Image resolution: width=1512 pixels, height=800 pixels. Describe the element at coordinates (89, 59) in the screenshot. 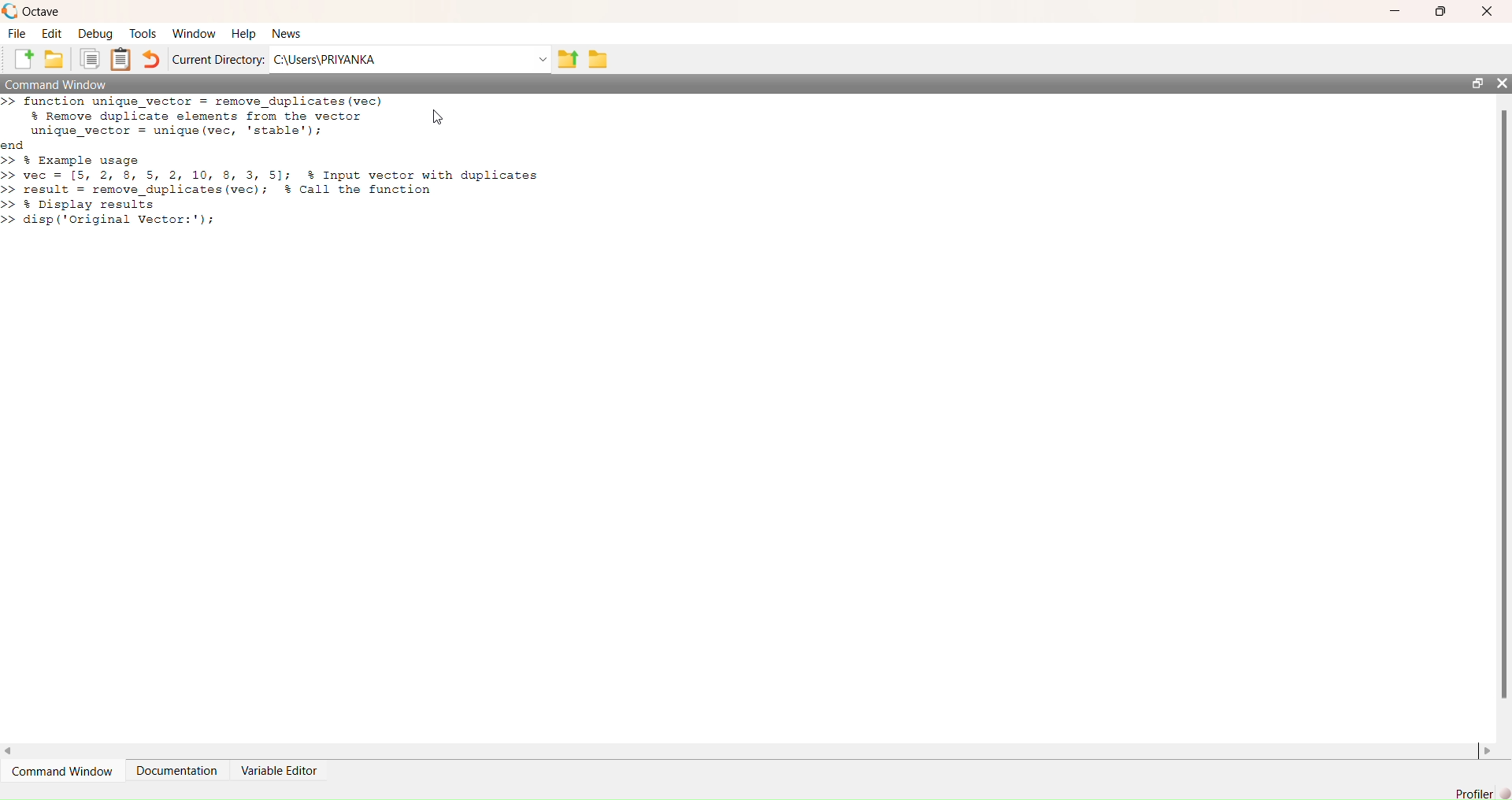

I see `copy` at that location.